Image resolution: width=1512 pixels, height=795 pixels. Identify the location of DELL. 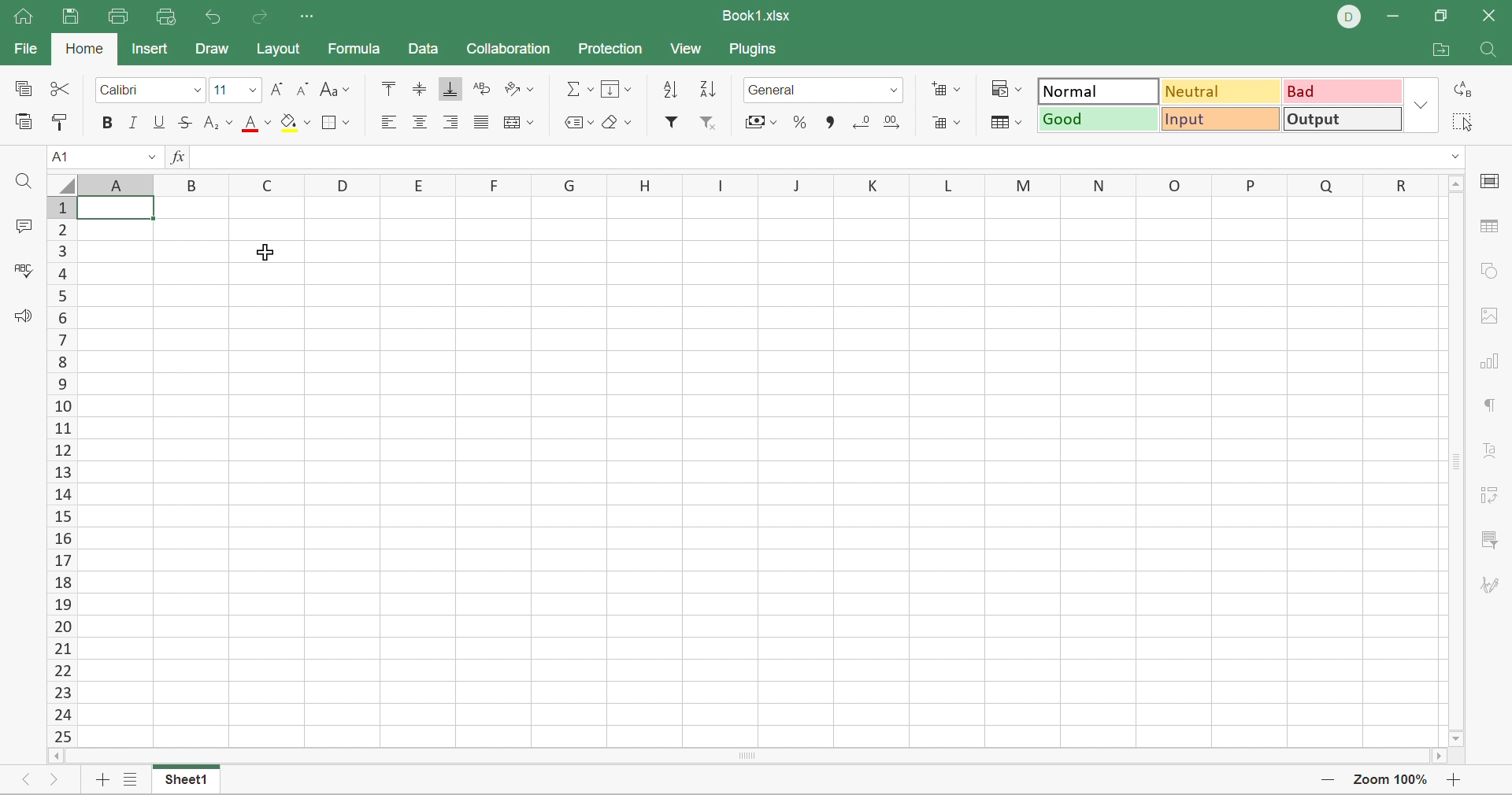
(1351, 17).